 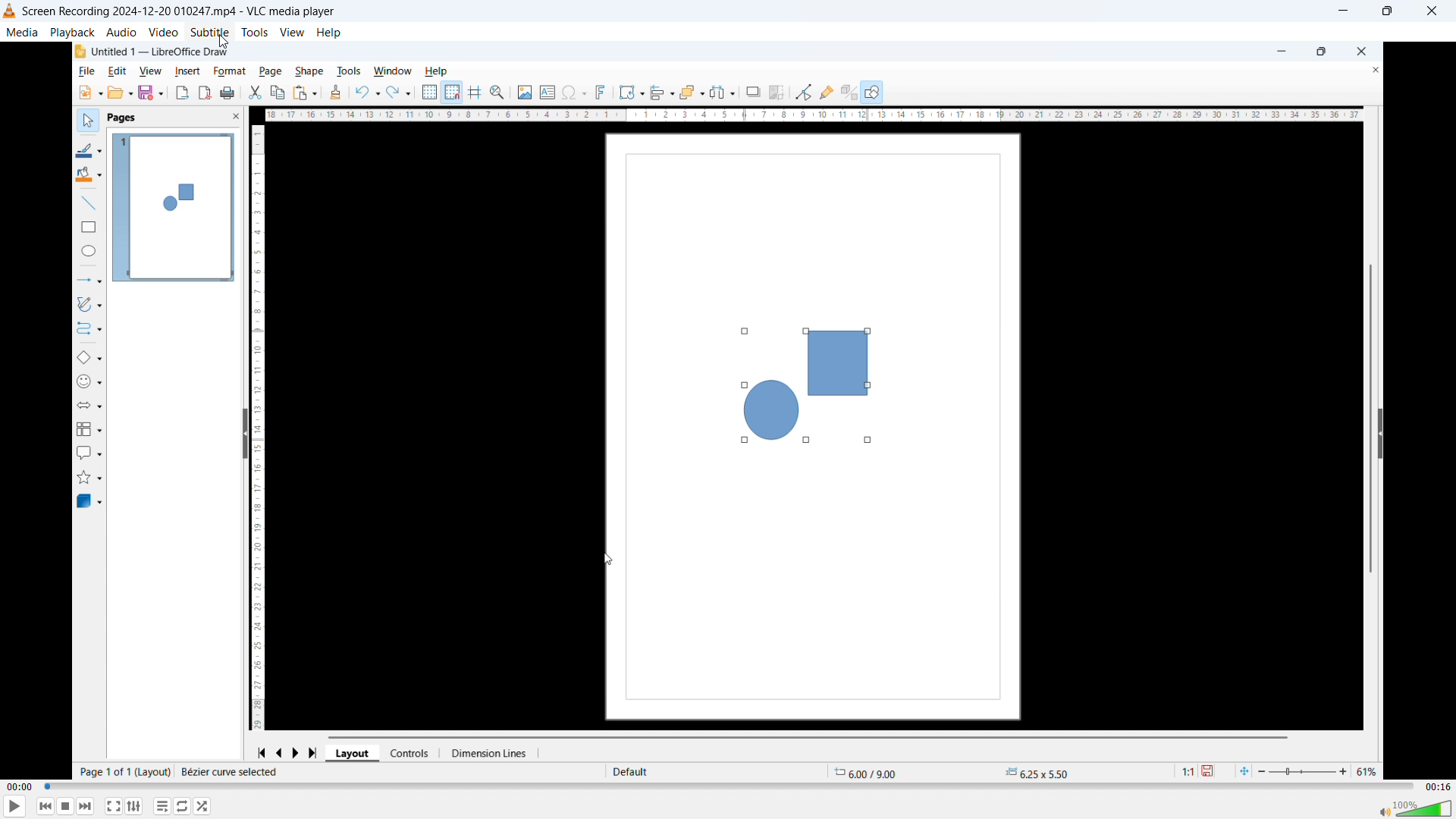 What do you see at coordinates (226, 118) in the screenshot?
I see `close` at bounding box center [226, 118].